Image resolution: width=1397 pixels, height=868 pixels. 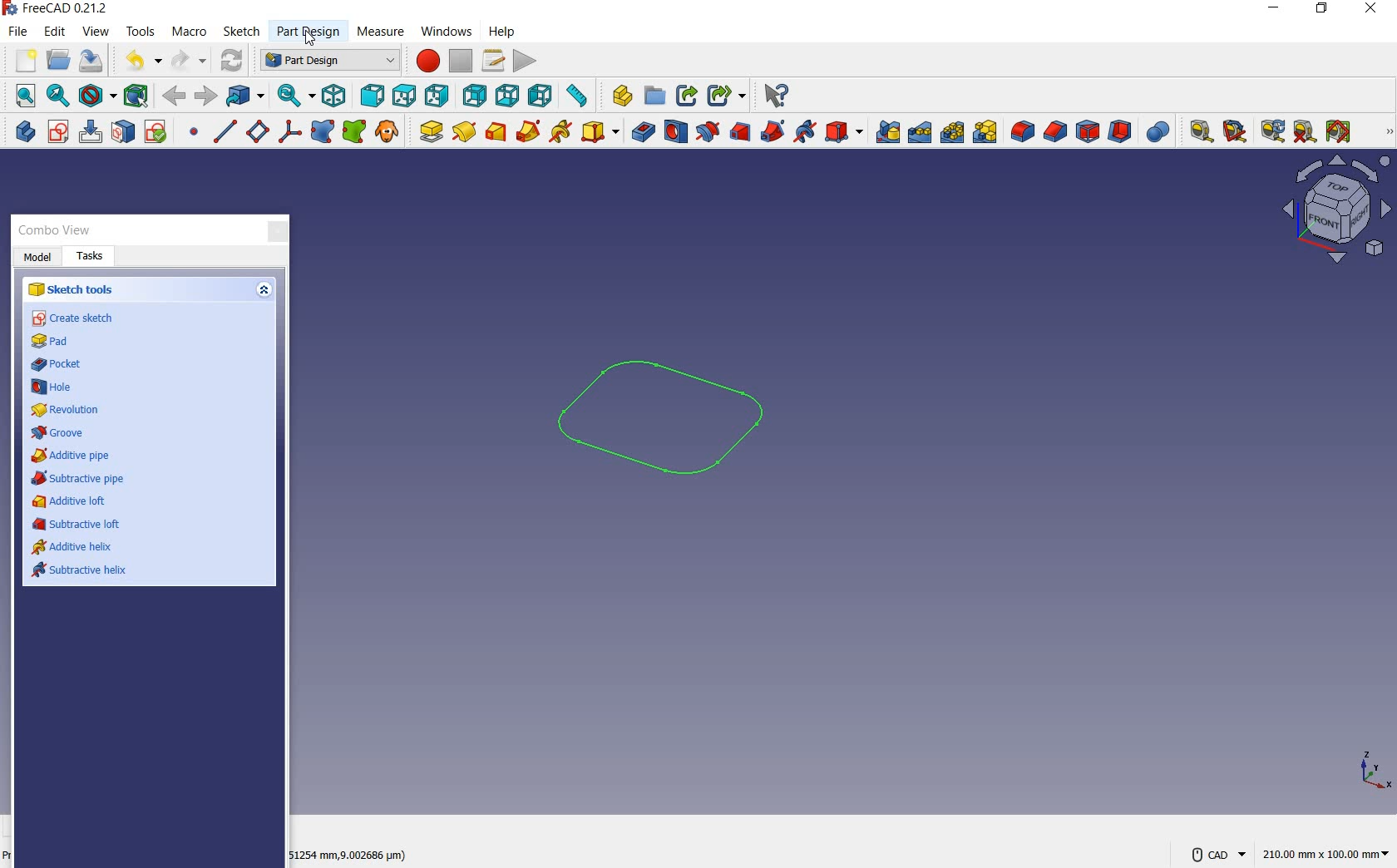 I want to click on view, so click(x=1335, y=214).